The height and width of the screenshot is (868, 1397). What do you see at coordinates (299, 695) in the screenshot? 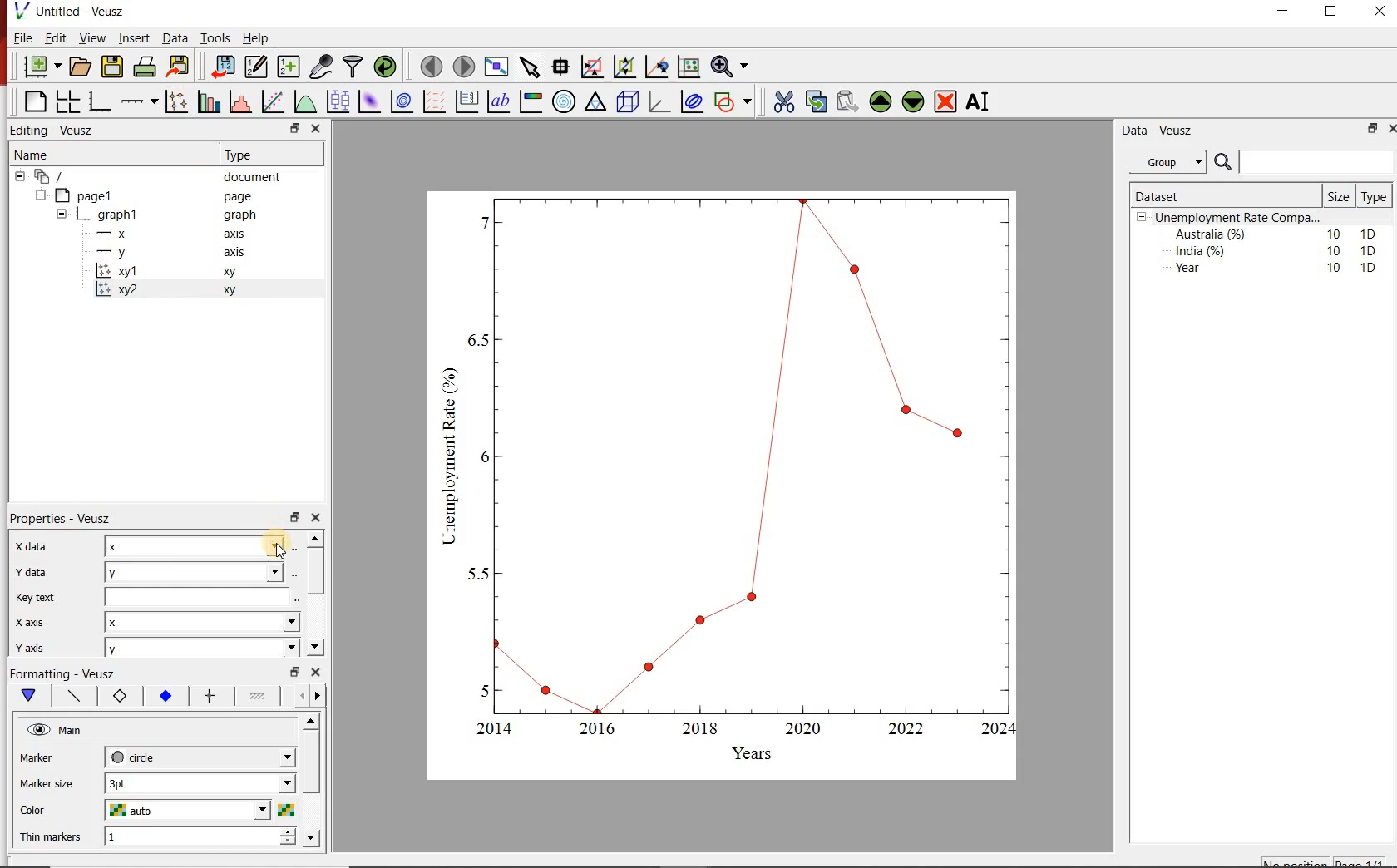
I see `more left` at bounding box center [299, 695].